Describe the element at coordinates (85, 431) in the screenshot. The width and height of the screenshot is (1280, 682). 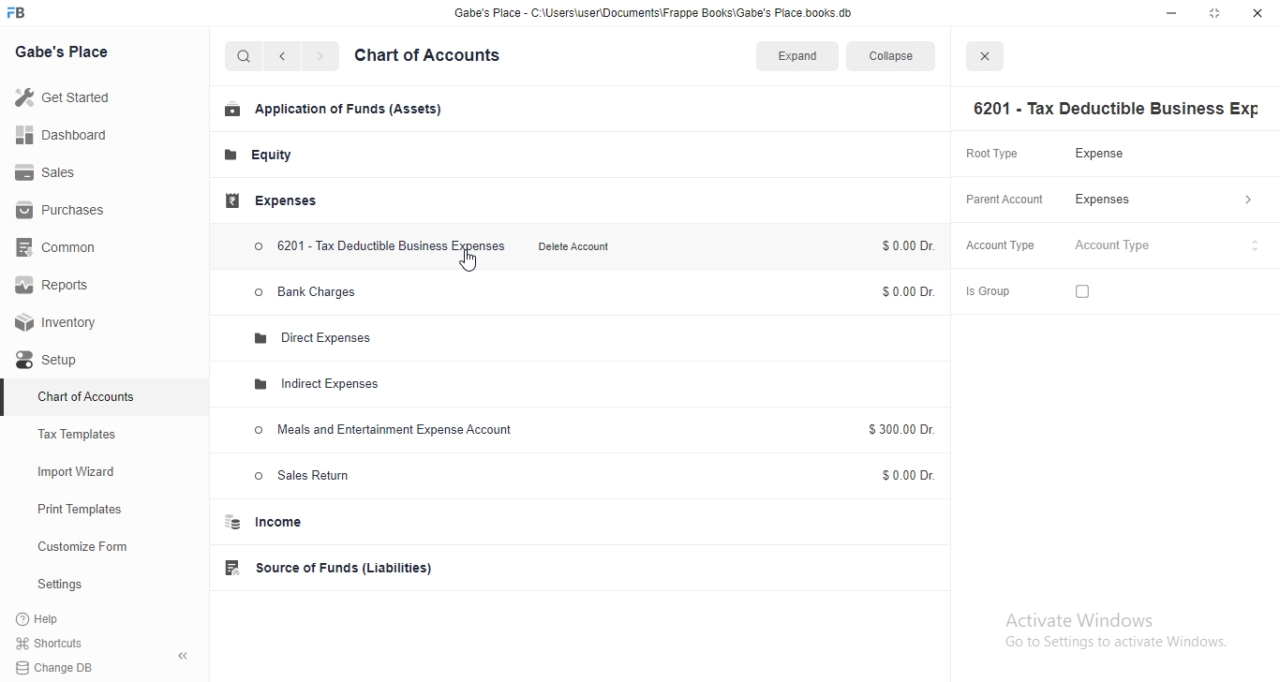
I see `Tax Templates` at that location.